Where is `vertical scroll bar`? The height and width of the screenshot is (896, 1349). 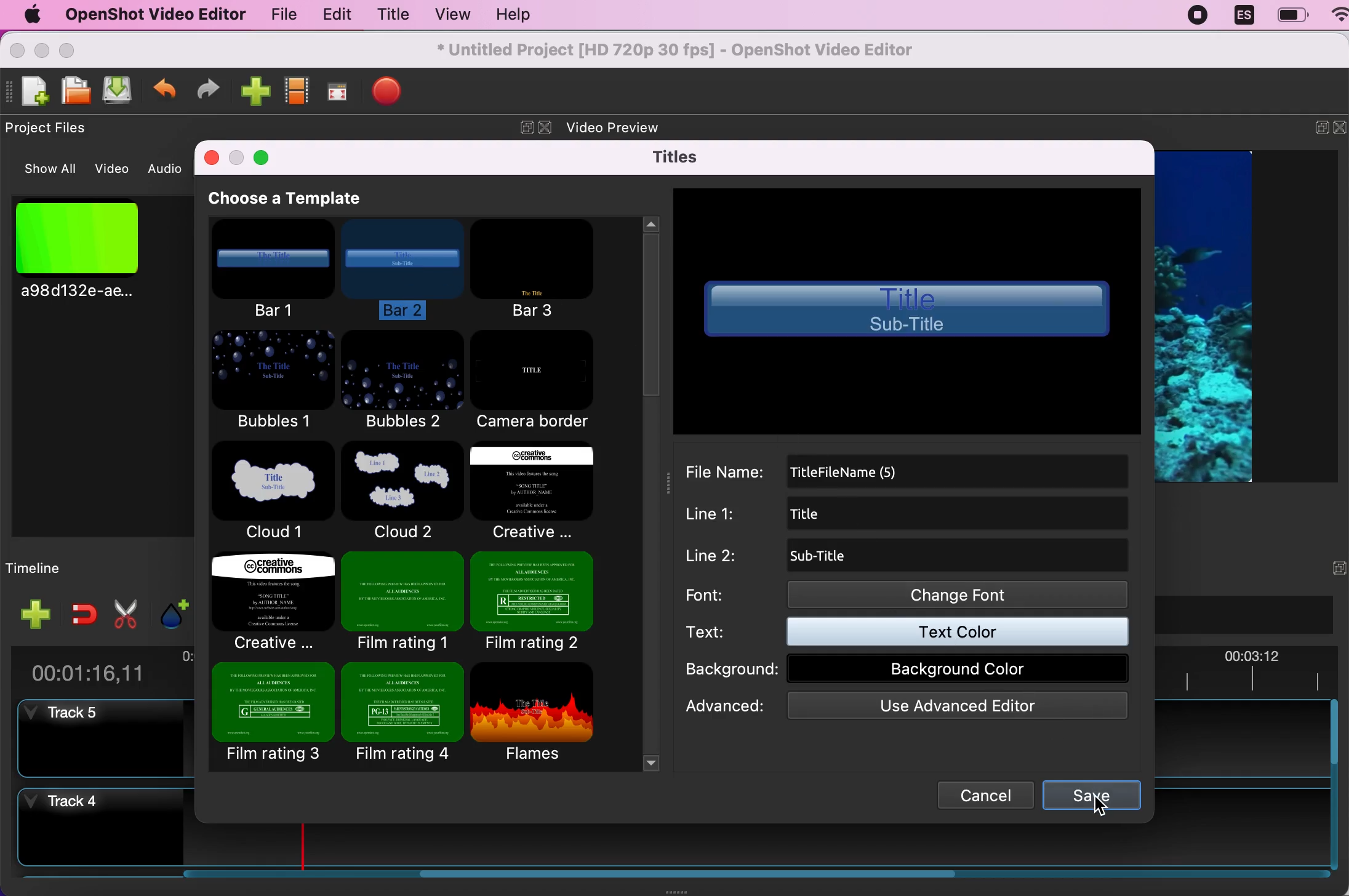 vertical scroll bar is located at coordinates (650, 358).